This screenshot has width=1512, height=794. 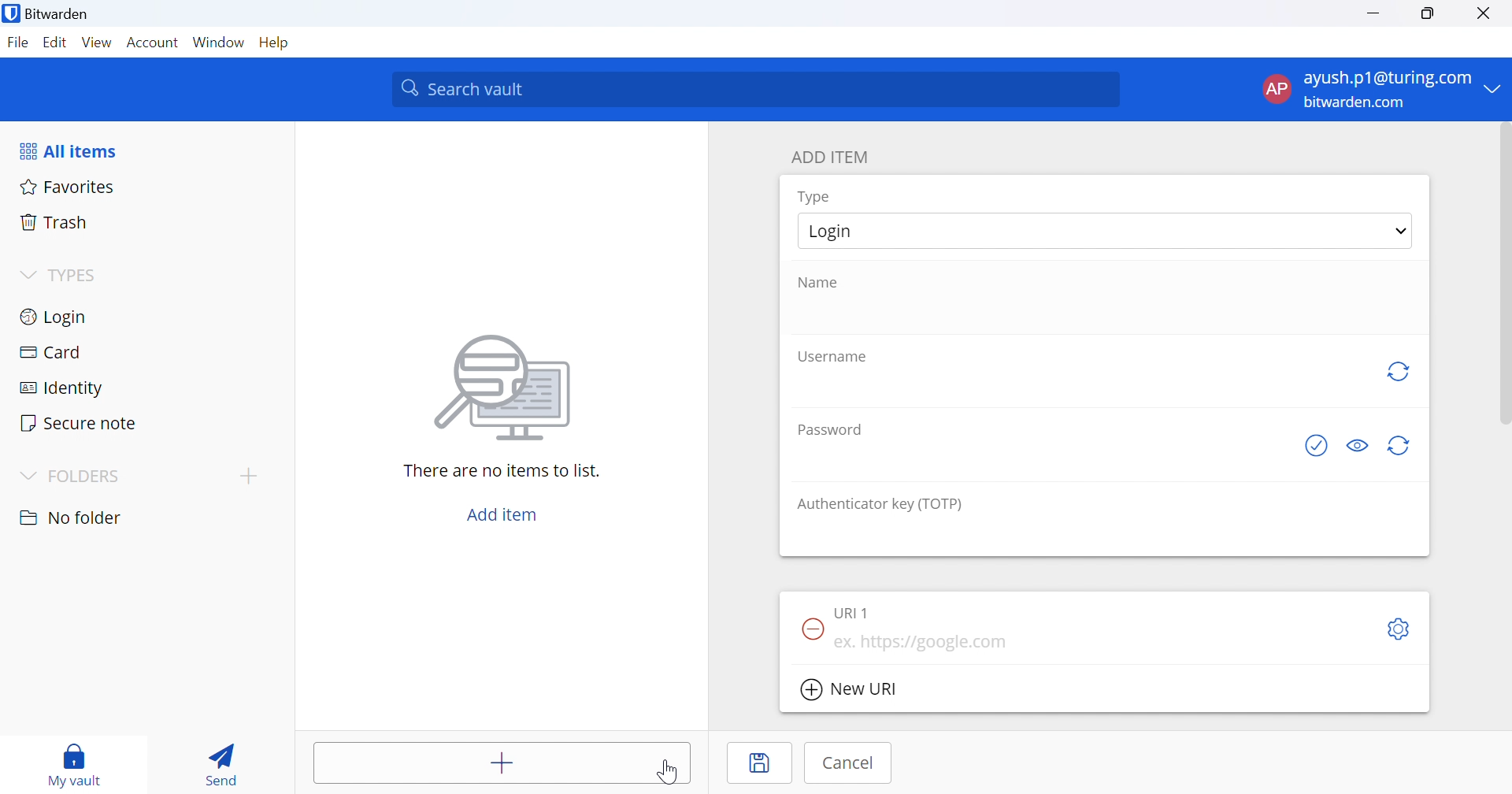 What do you see at coordinates (502, 471) in the screenshot?
I see `There are no items to list.` at bounding box center [502, 471].